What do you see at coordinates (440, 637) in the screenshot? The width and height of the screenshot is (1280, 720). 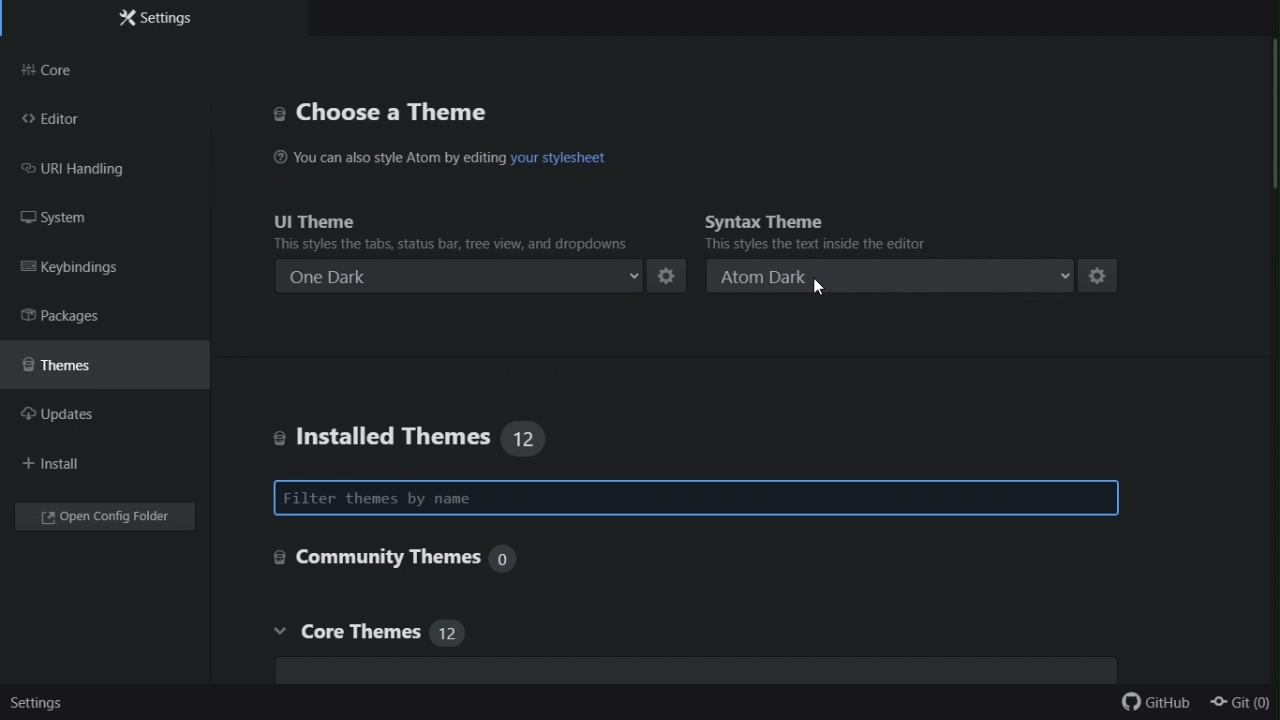 I see `Core theme` at bounding box center [440, 637].